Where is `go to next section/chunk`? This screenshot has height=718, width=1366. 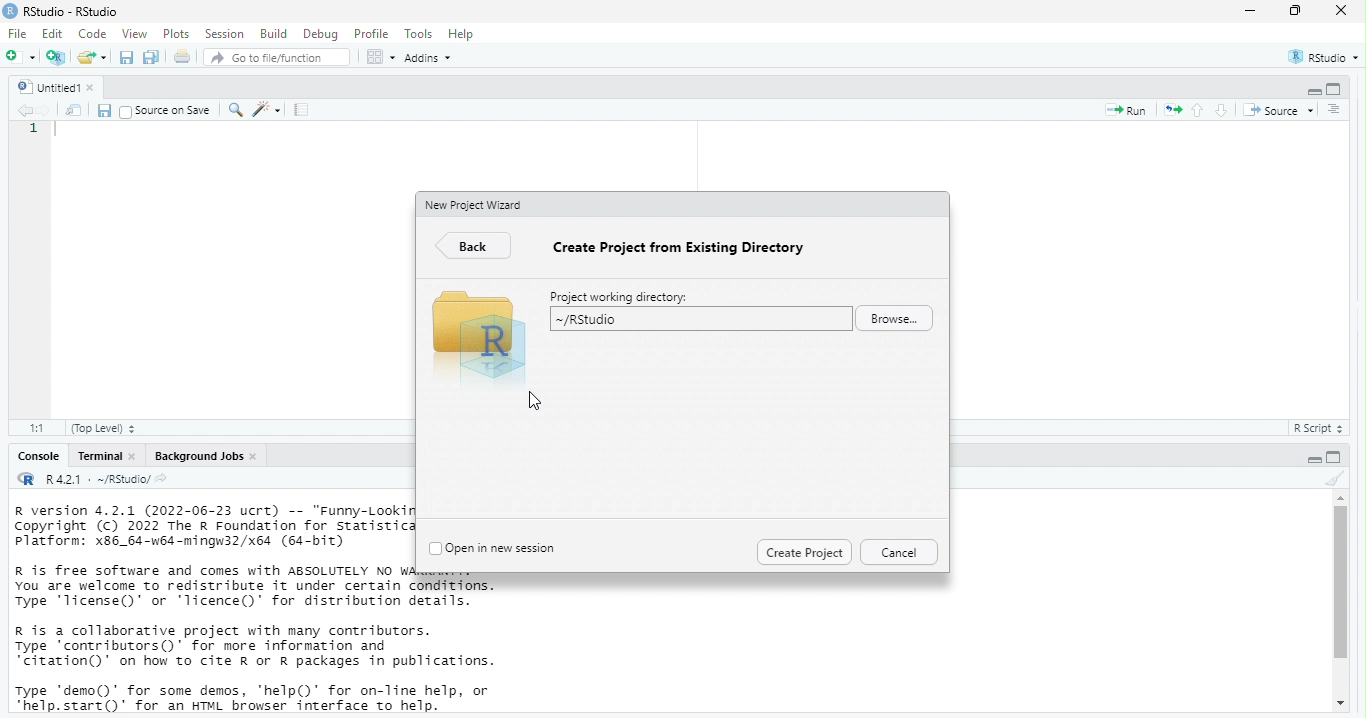
go to next section/chunk is located at coordinates (1225, 109).